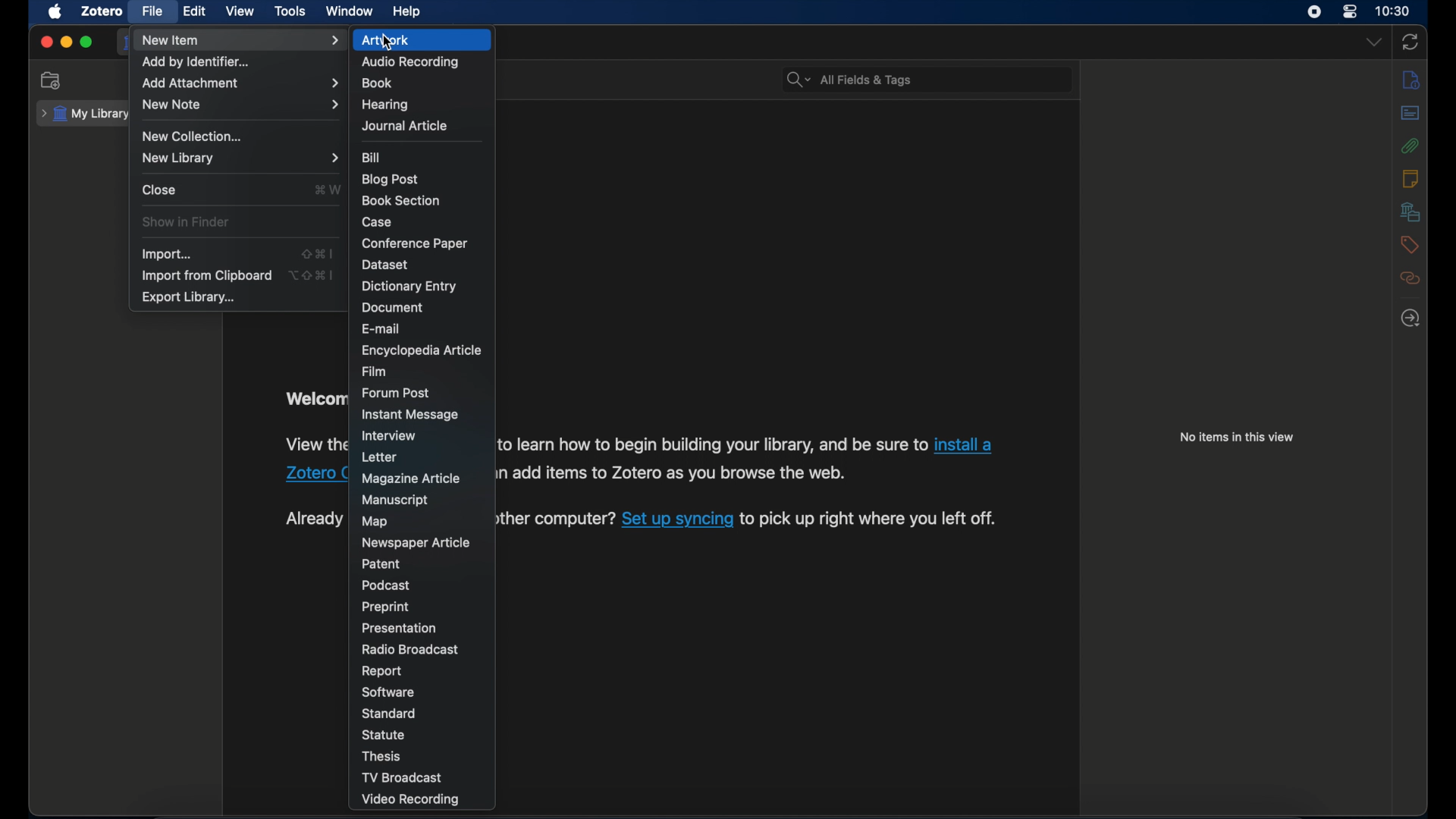 This screenshot has width=1456, height=819. Describe the element at coordinates (388, 693) in the screenshot. I see `software` at that location.